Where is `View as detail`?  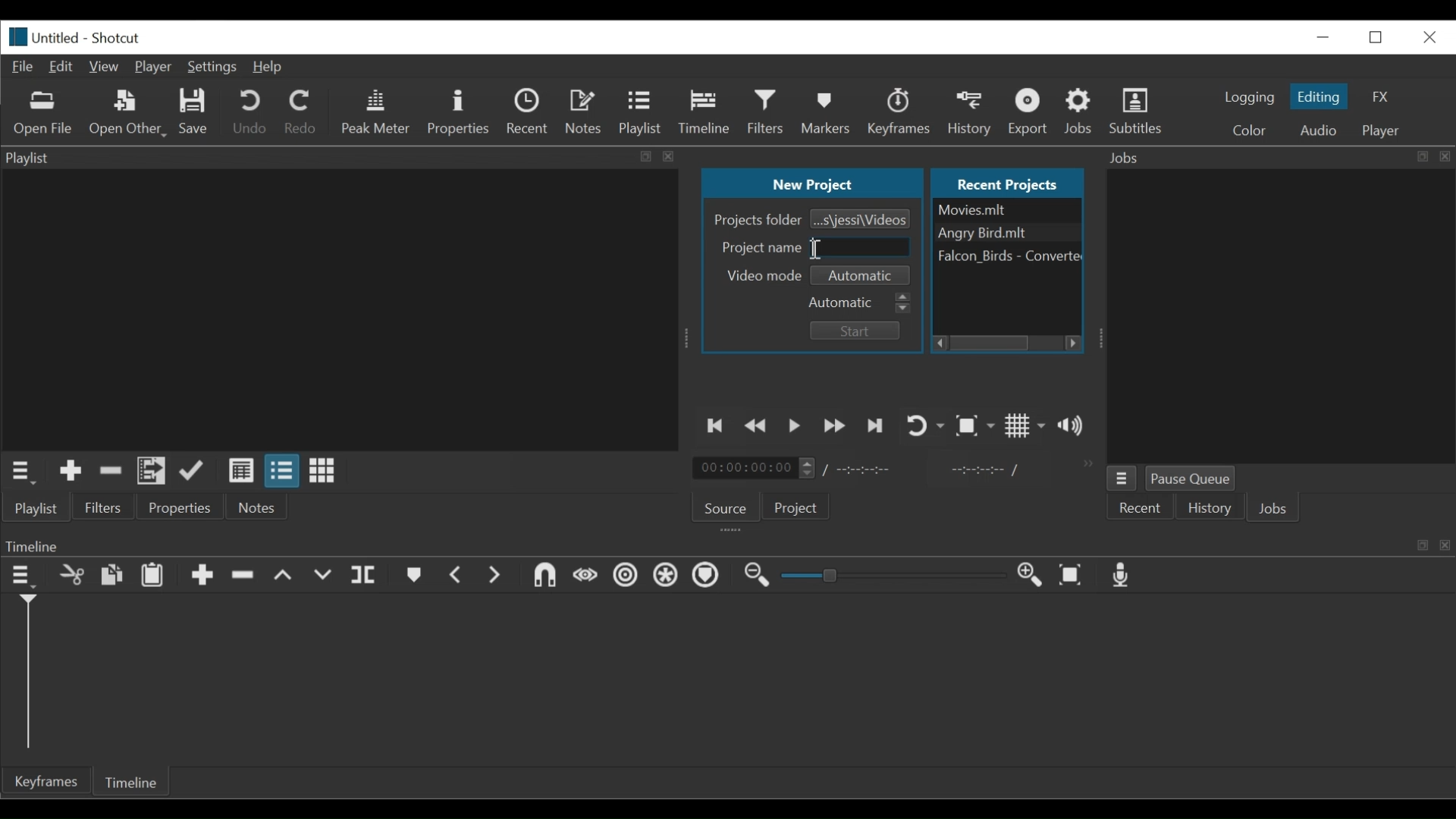
View as detail is located at coordinates (240, 472).